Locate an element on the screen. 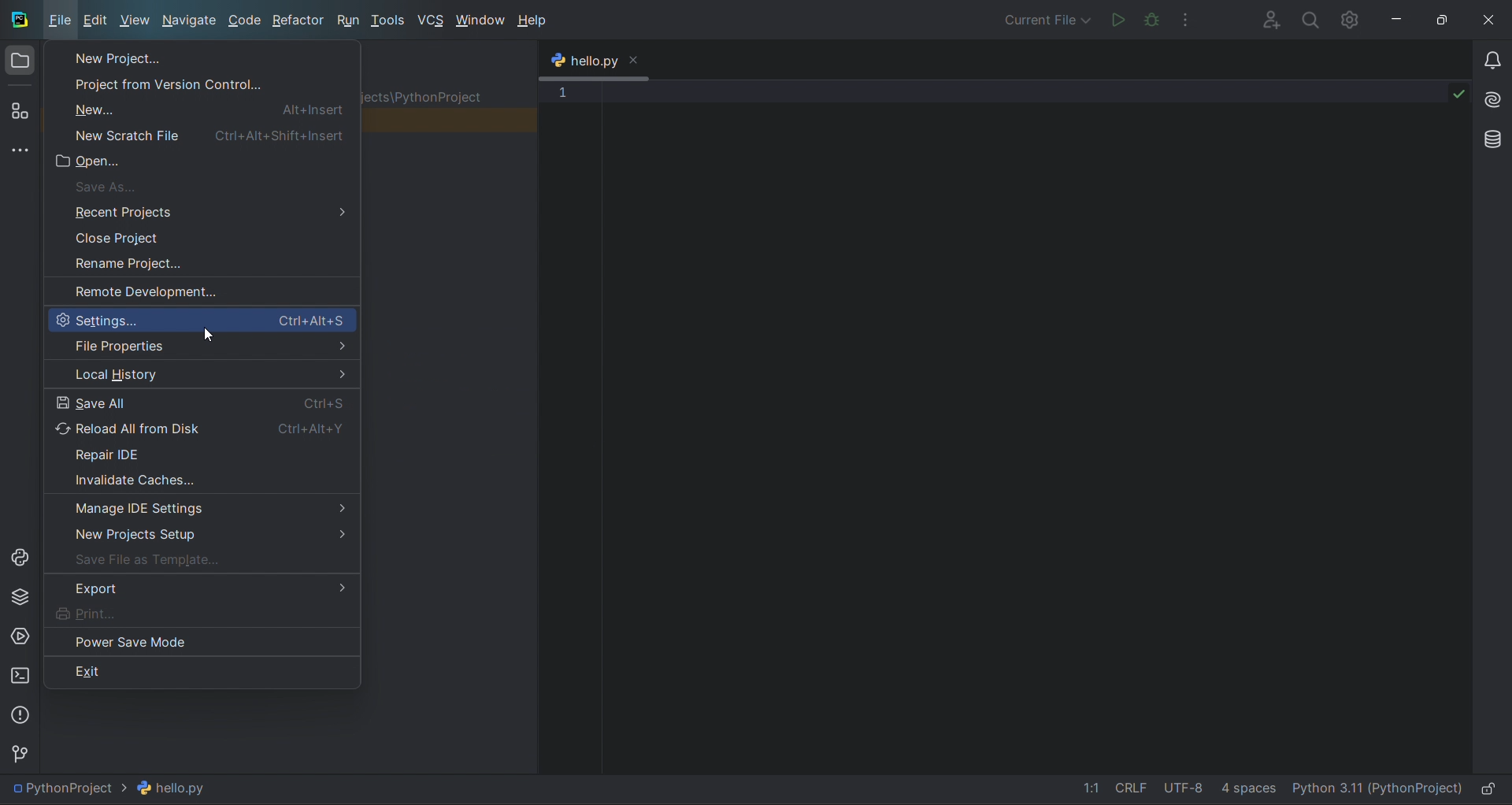 Image resolution: width=1512 pixels, height=805 pixels. minimize is located at coordinates (1403, 19).